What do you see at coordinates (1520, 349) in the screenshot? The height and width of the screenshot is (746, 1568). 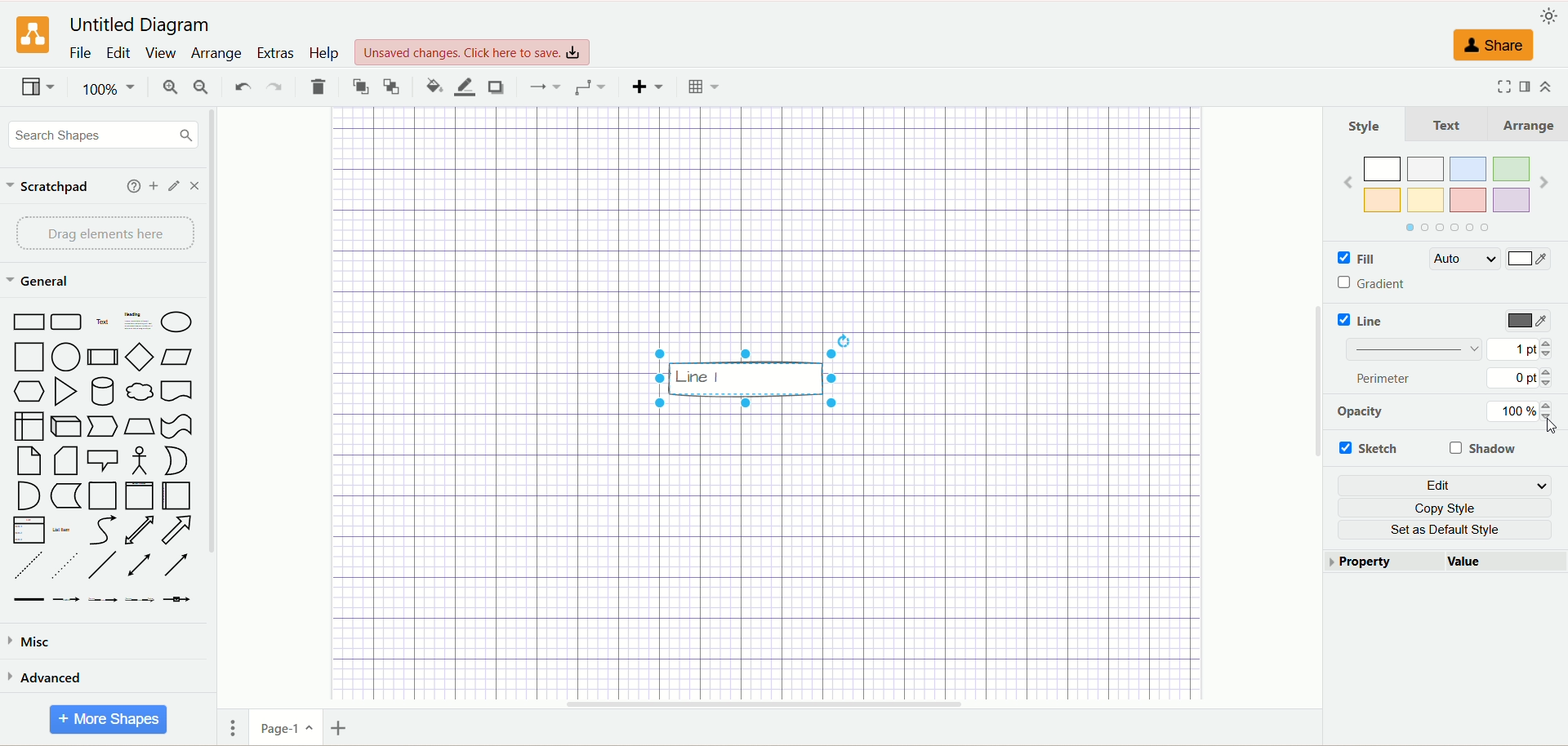 I see `1 pt` at bounding box center [1520, 349].